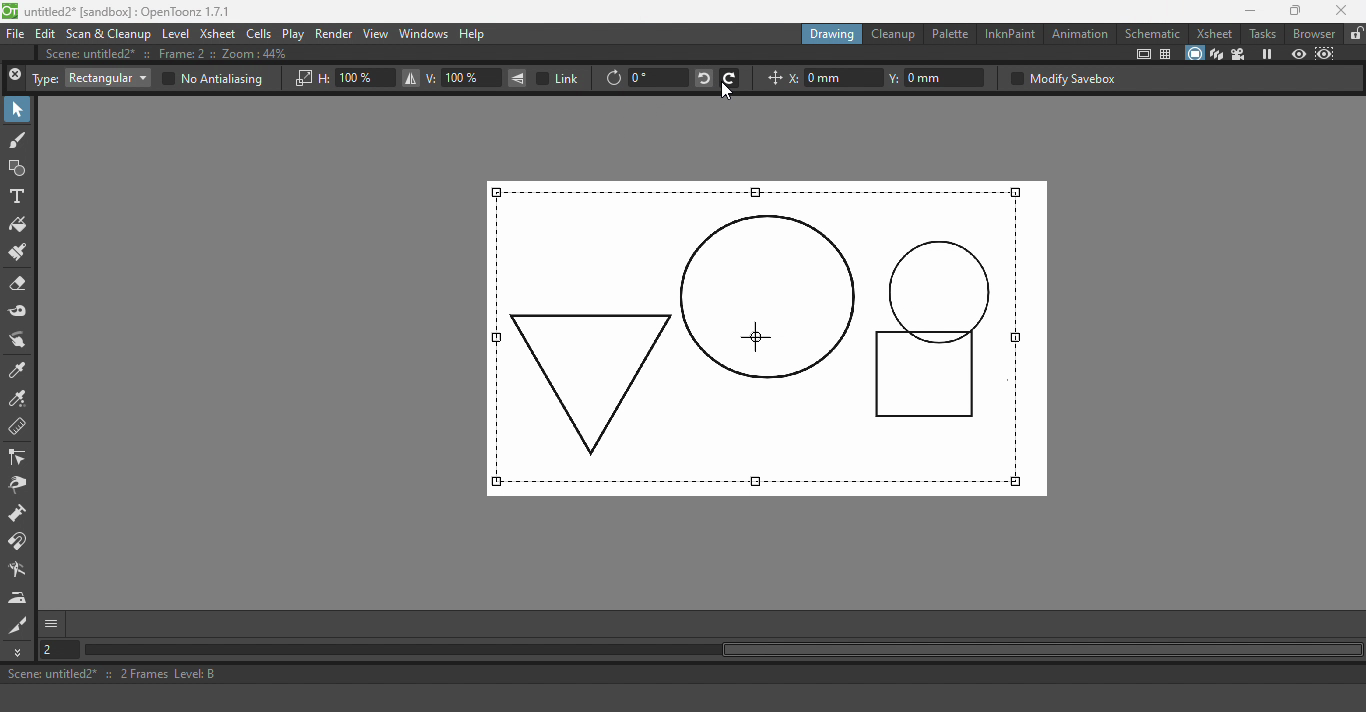 Image resolution: width=1366 pixels, height=712 pixels. Describe the element at coordinates (356, 78) in the screenshot. I see `H: 0%` at that location.